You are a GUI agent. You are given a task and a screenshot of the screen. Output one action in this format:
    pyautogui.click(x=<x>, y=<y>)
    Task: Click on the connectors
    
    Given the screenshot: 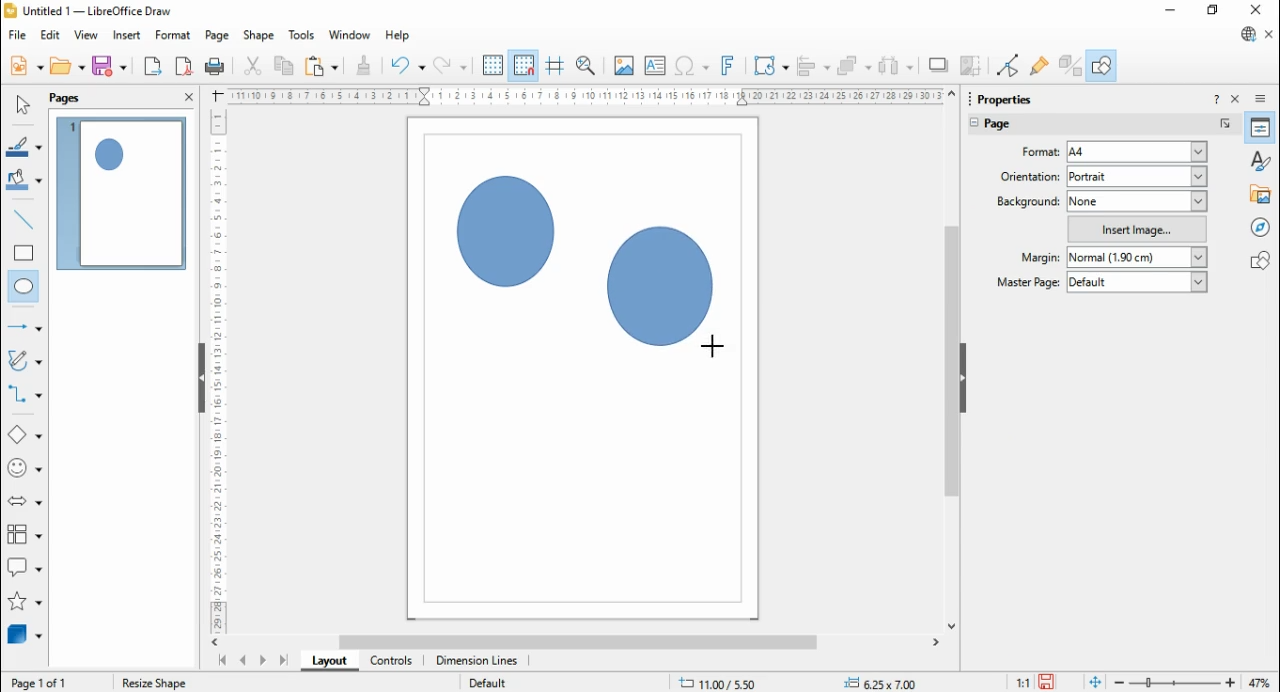 What is the action you would take?
    pyautogui.click(x=25, y=394)
    